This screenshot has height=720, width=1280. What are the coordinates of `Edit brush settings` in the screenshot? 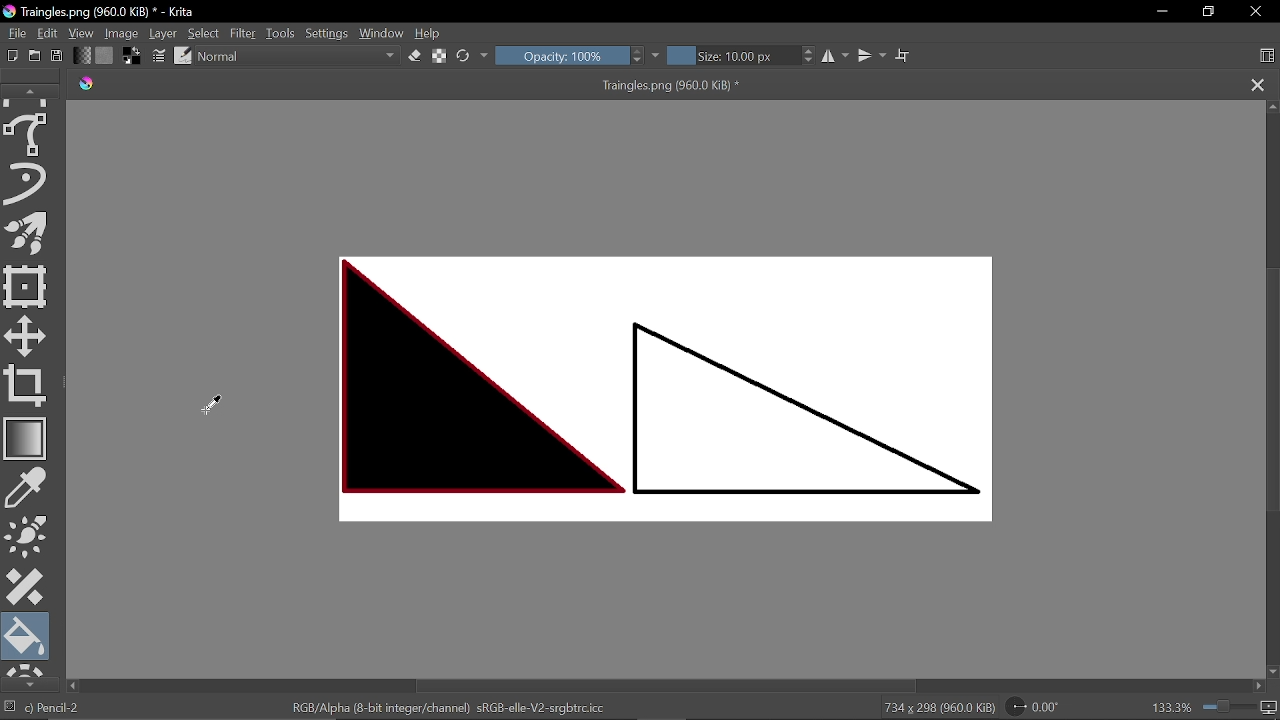 It's located at (159, 56).